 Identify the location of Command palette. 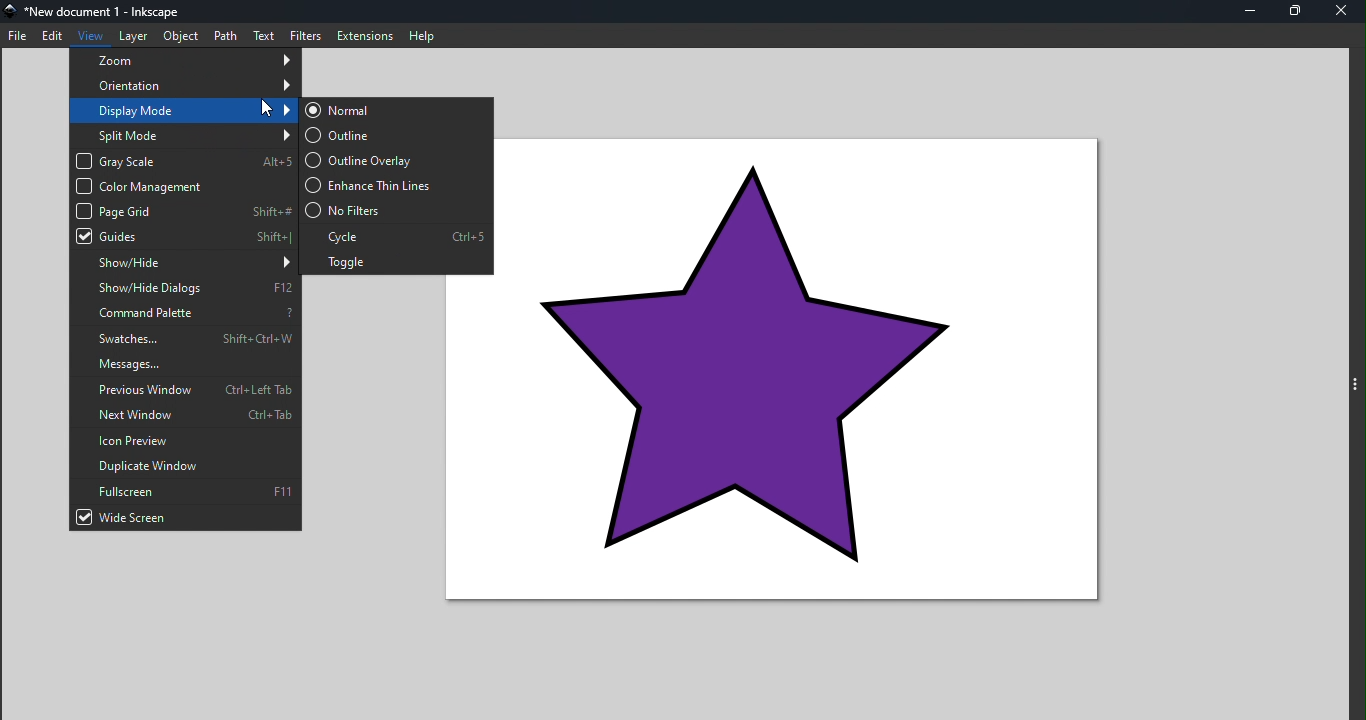
(185, 310).